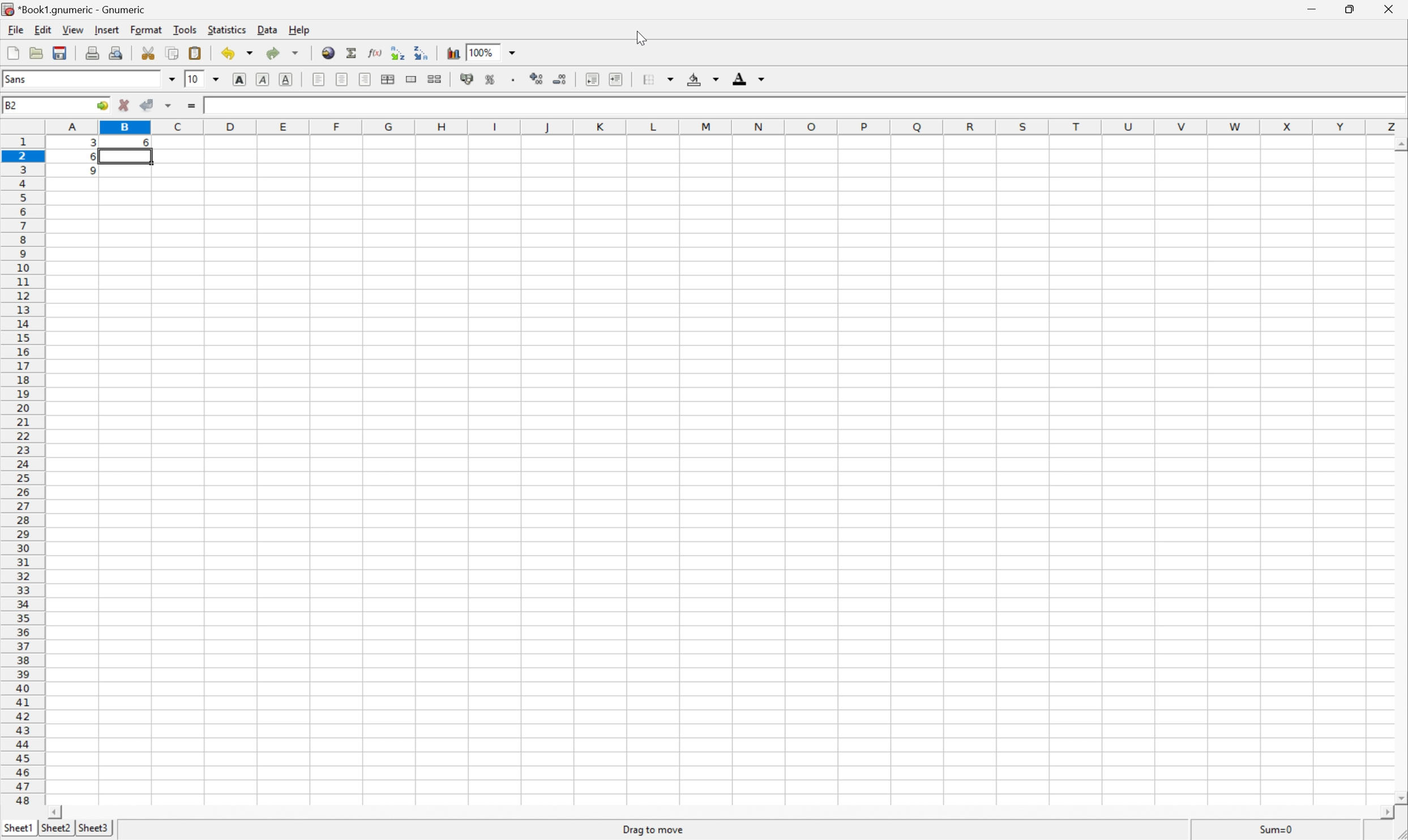  I want to click on Accept changes, so click(148, 104).